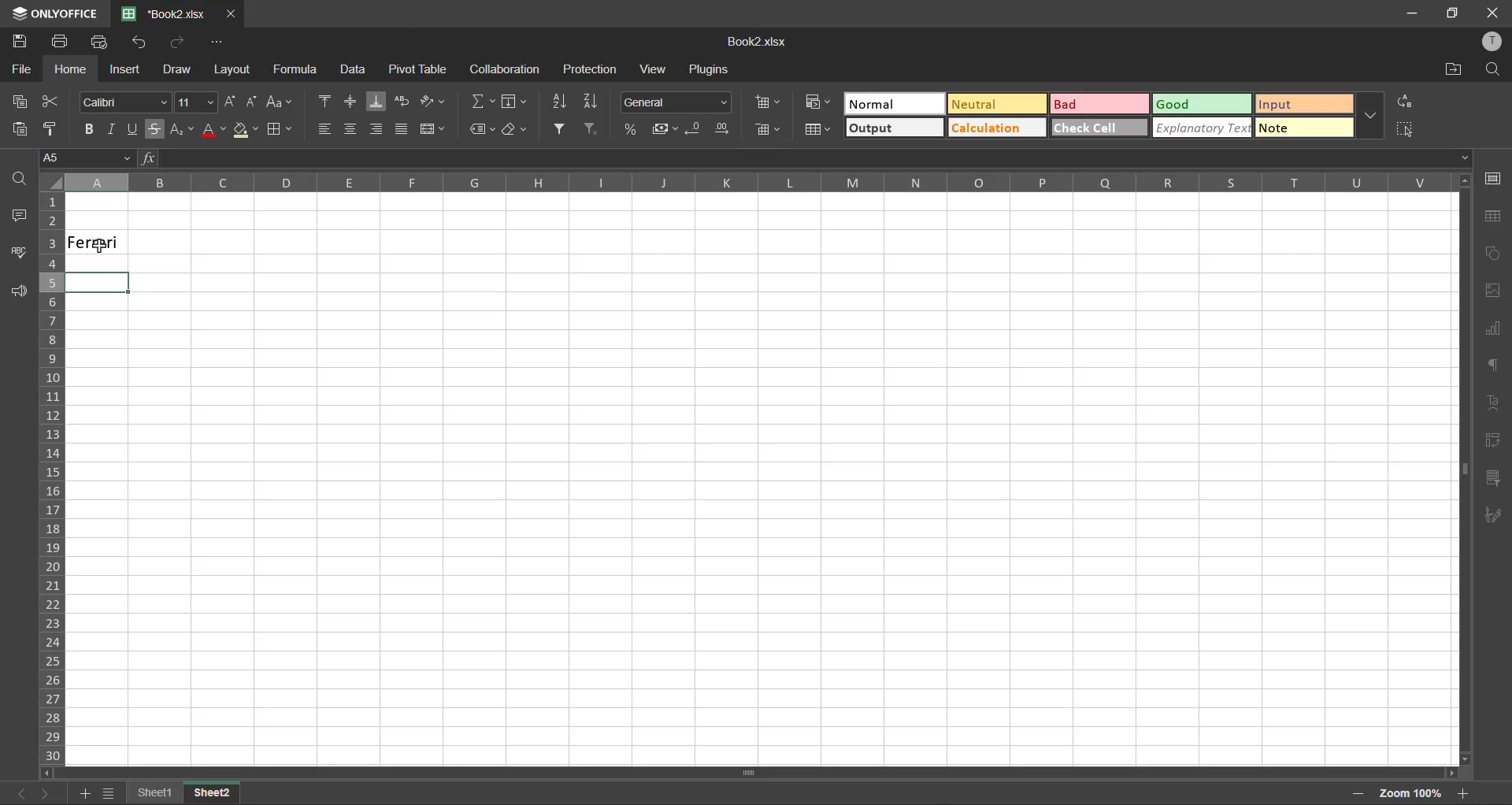 The height and width of the screenshot is (805, 1512). What do you see at coordinates (254, 102) in the screenshot?
I see `decrement size` at bounding box center [254, 102].